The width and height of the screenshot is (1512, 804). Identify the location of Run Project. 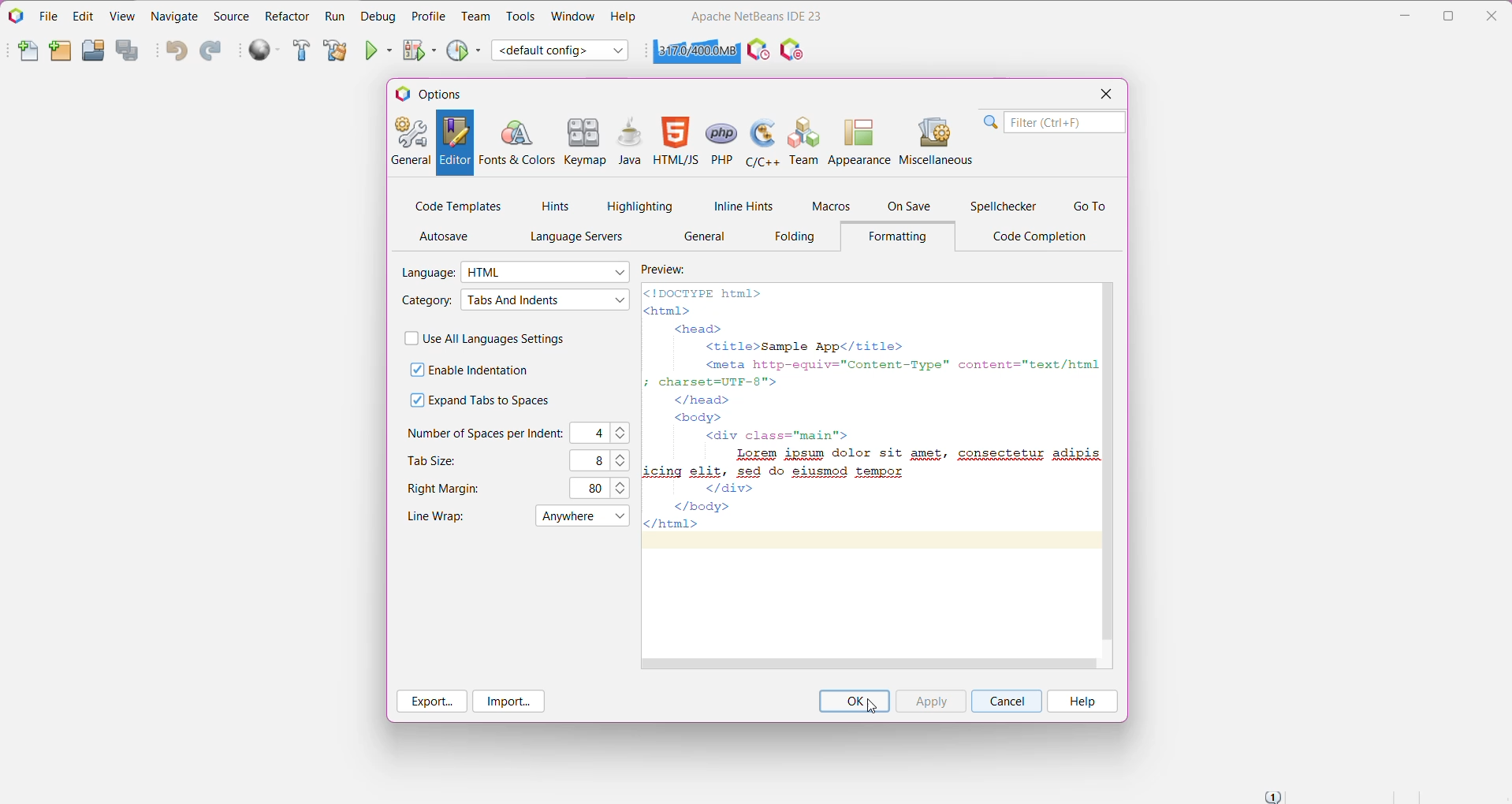
(380, 50).